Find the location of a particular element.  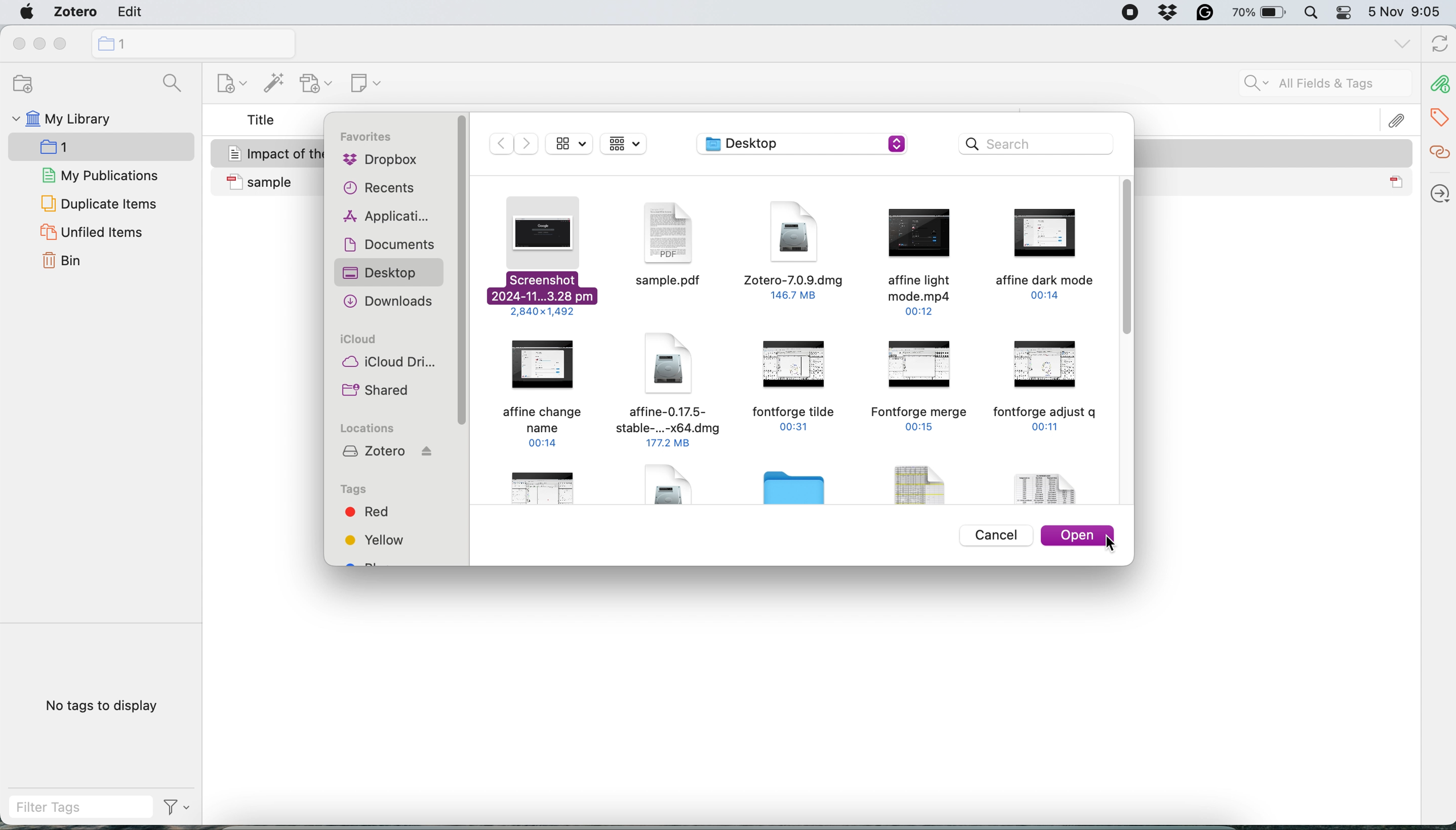

file is located at coordinates (546, 487).